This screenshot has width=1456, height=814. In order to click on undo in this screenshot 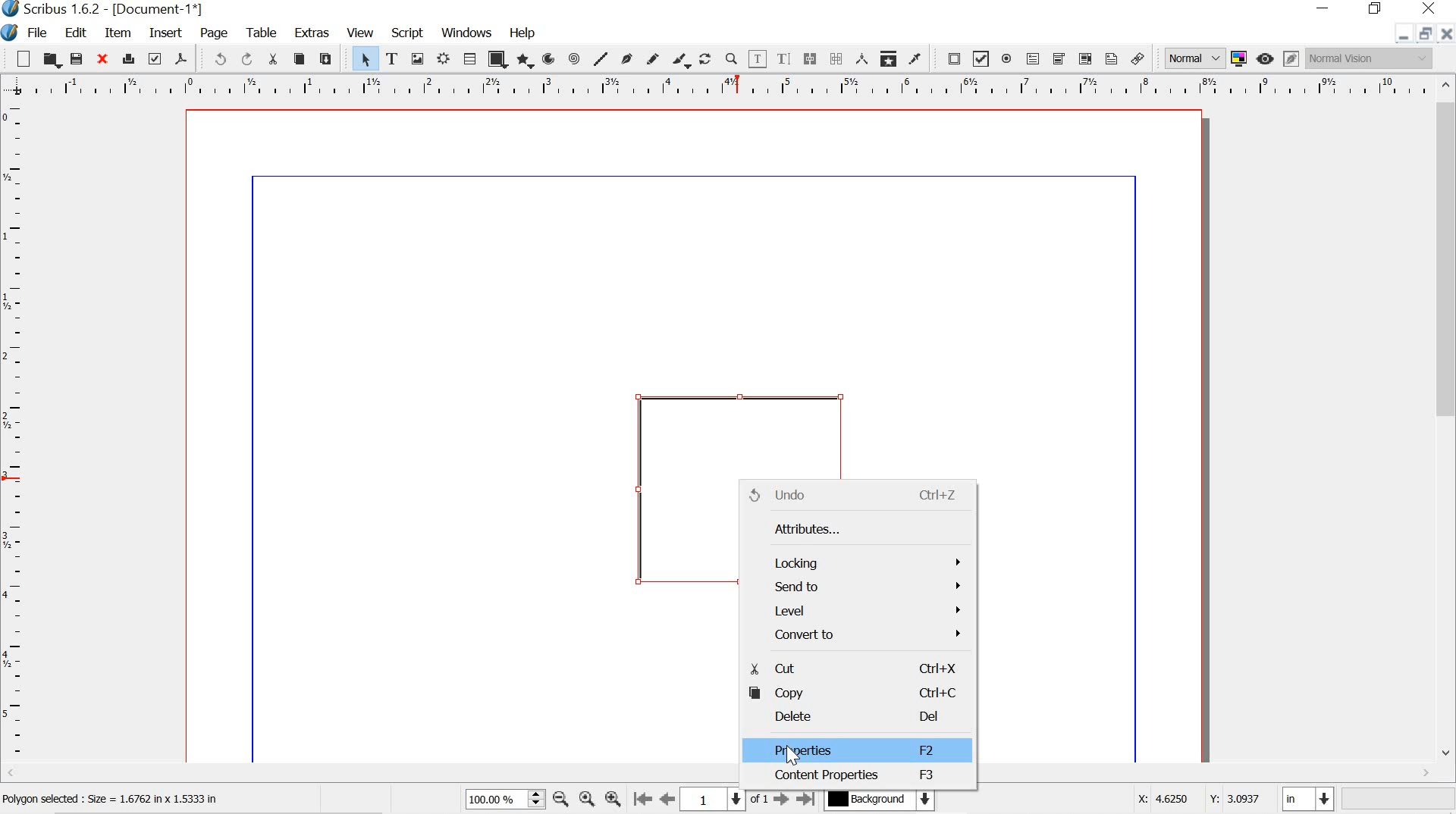, I will do `click(214, 58)`.